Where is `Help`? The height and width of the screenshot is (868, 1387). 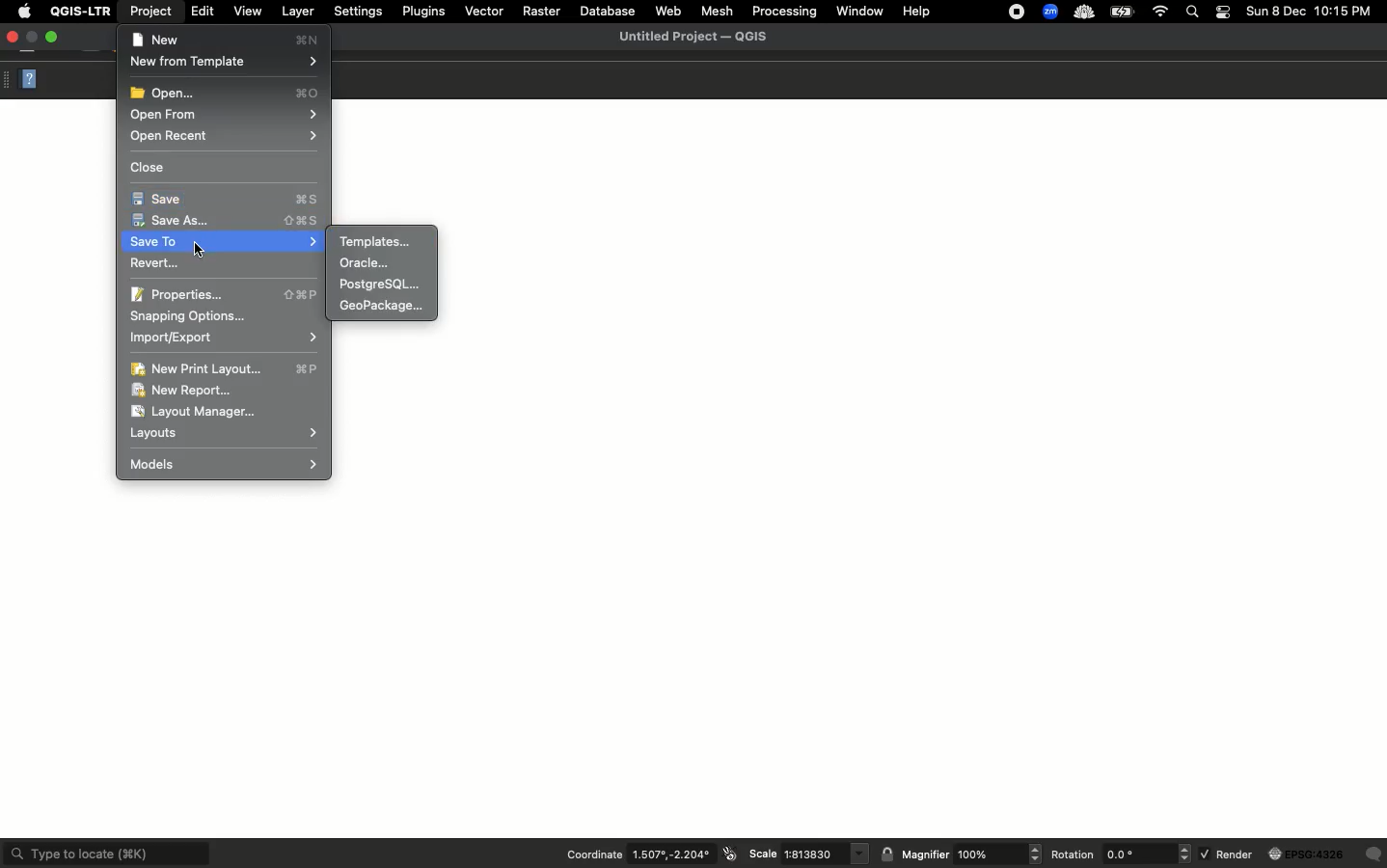
Help is located at coordinates (920, 10).